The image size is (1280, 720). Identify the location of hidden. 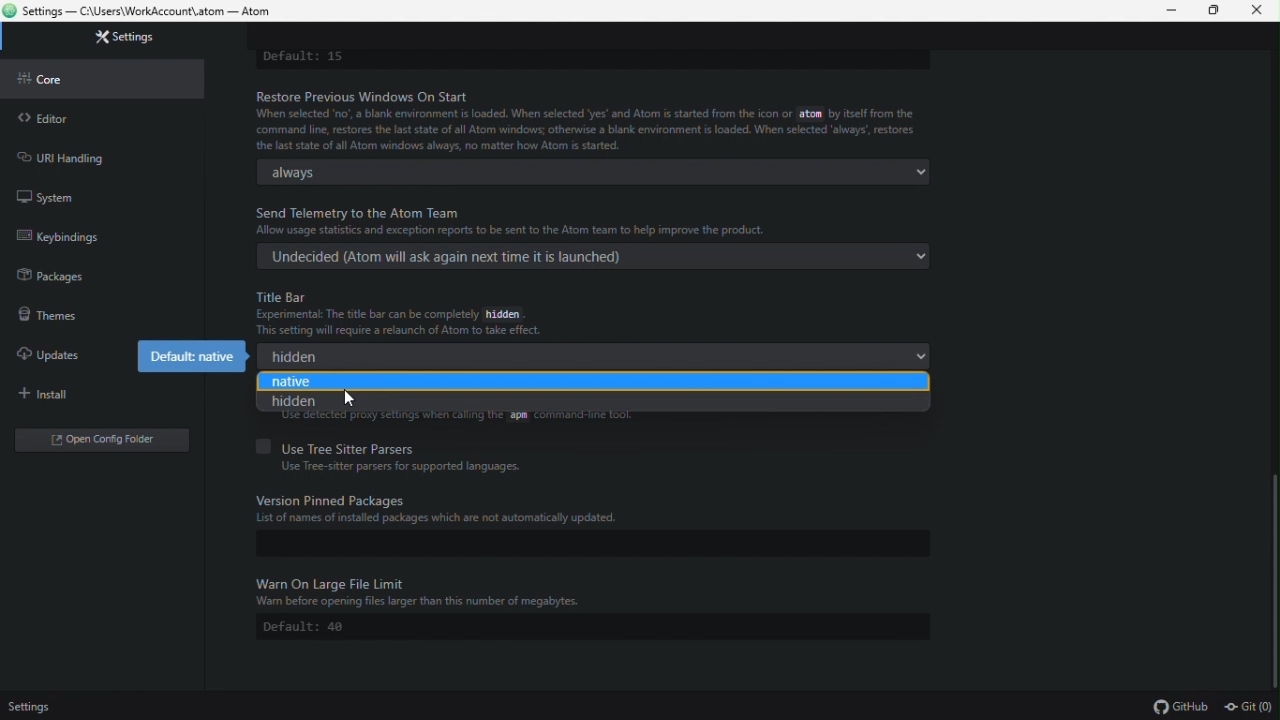
(595, 403).